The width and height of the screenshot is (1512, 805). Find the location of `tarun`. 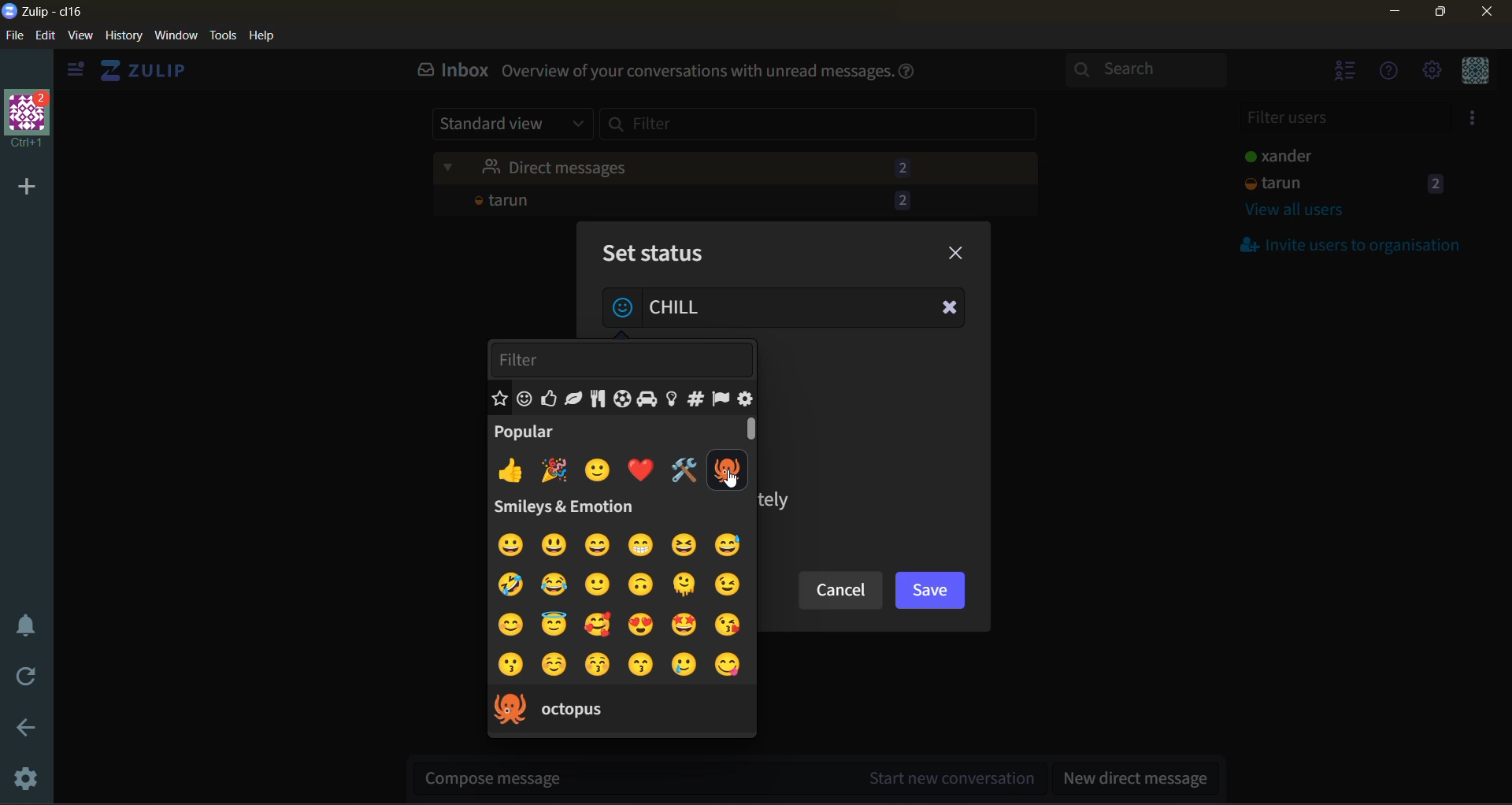

tarun is located at coordinates (726, 200).